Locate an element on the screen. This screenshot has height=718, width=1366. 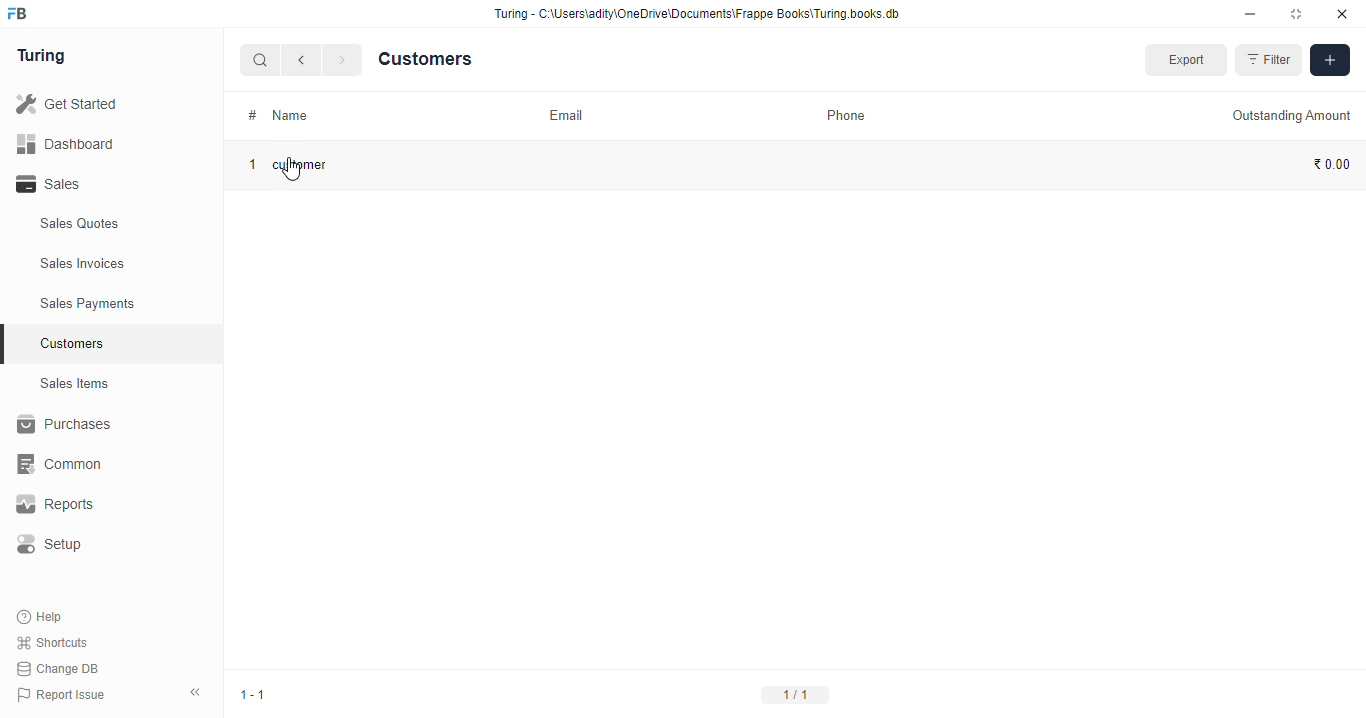
add filters is located at coordinates (1332, 61).